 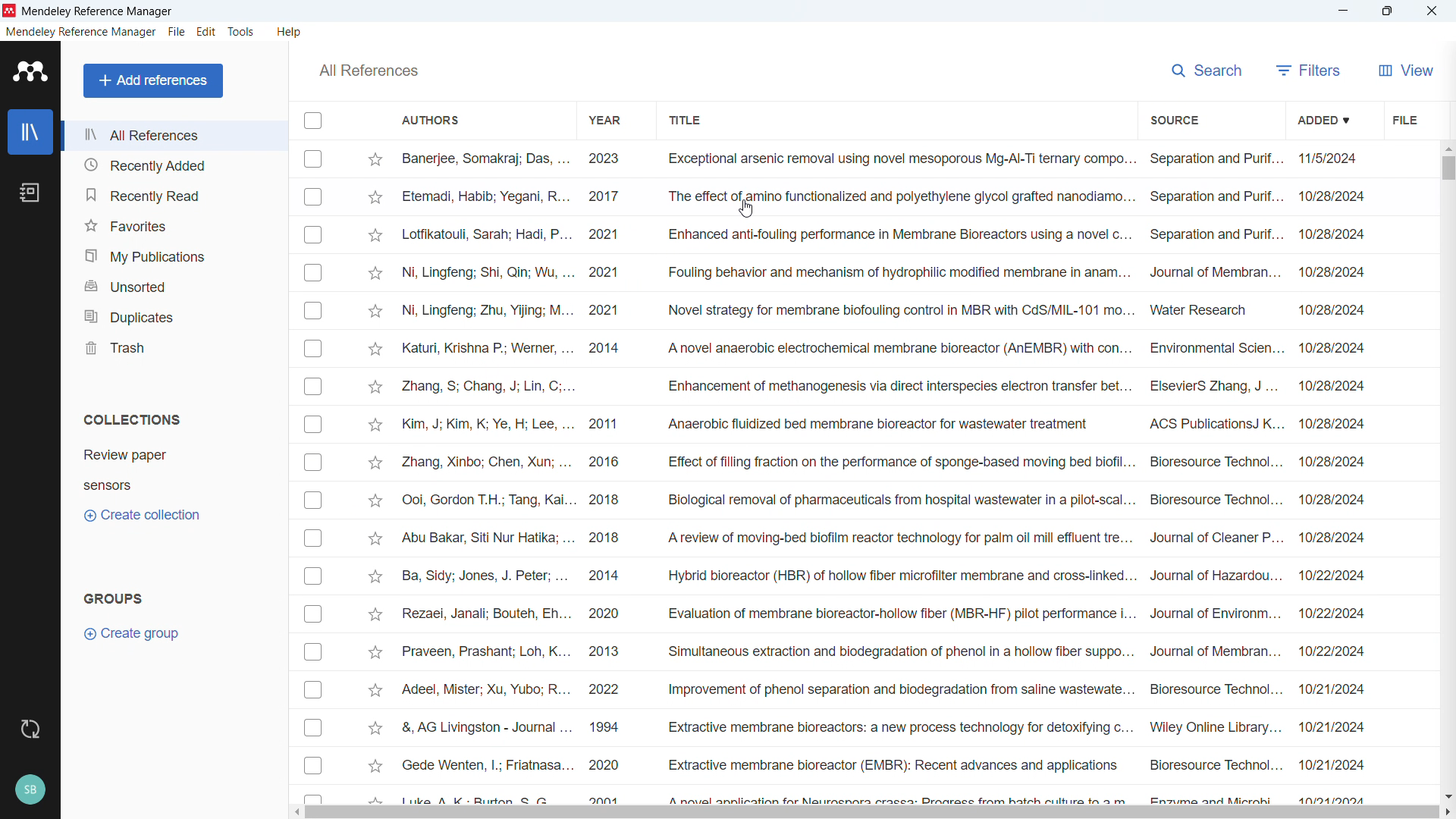 I want to click on sort by date added , so click(x=1322, y=121).